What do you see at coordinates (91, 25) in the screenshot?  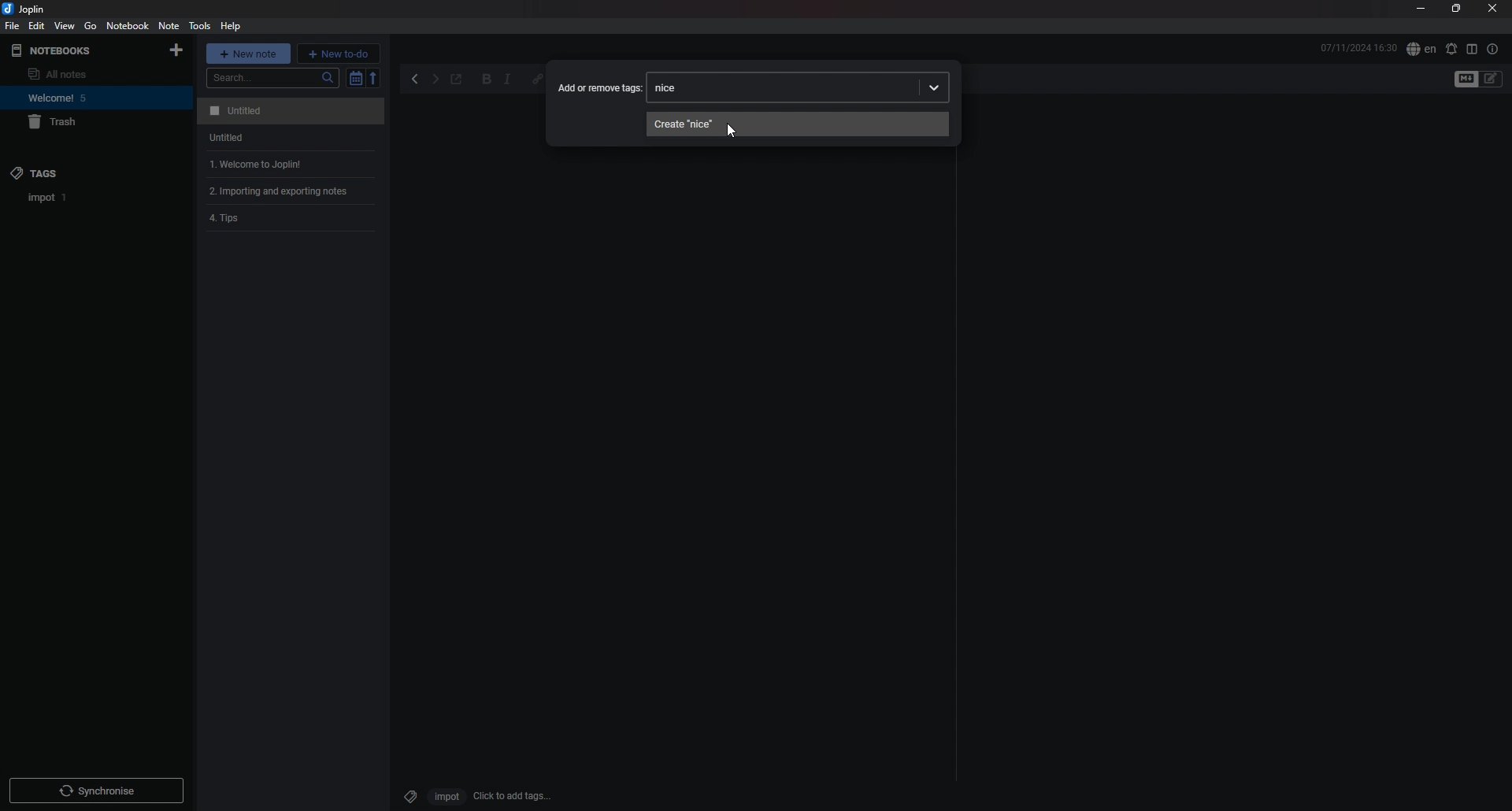 I see `go` at bounding box center [91, 25].